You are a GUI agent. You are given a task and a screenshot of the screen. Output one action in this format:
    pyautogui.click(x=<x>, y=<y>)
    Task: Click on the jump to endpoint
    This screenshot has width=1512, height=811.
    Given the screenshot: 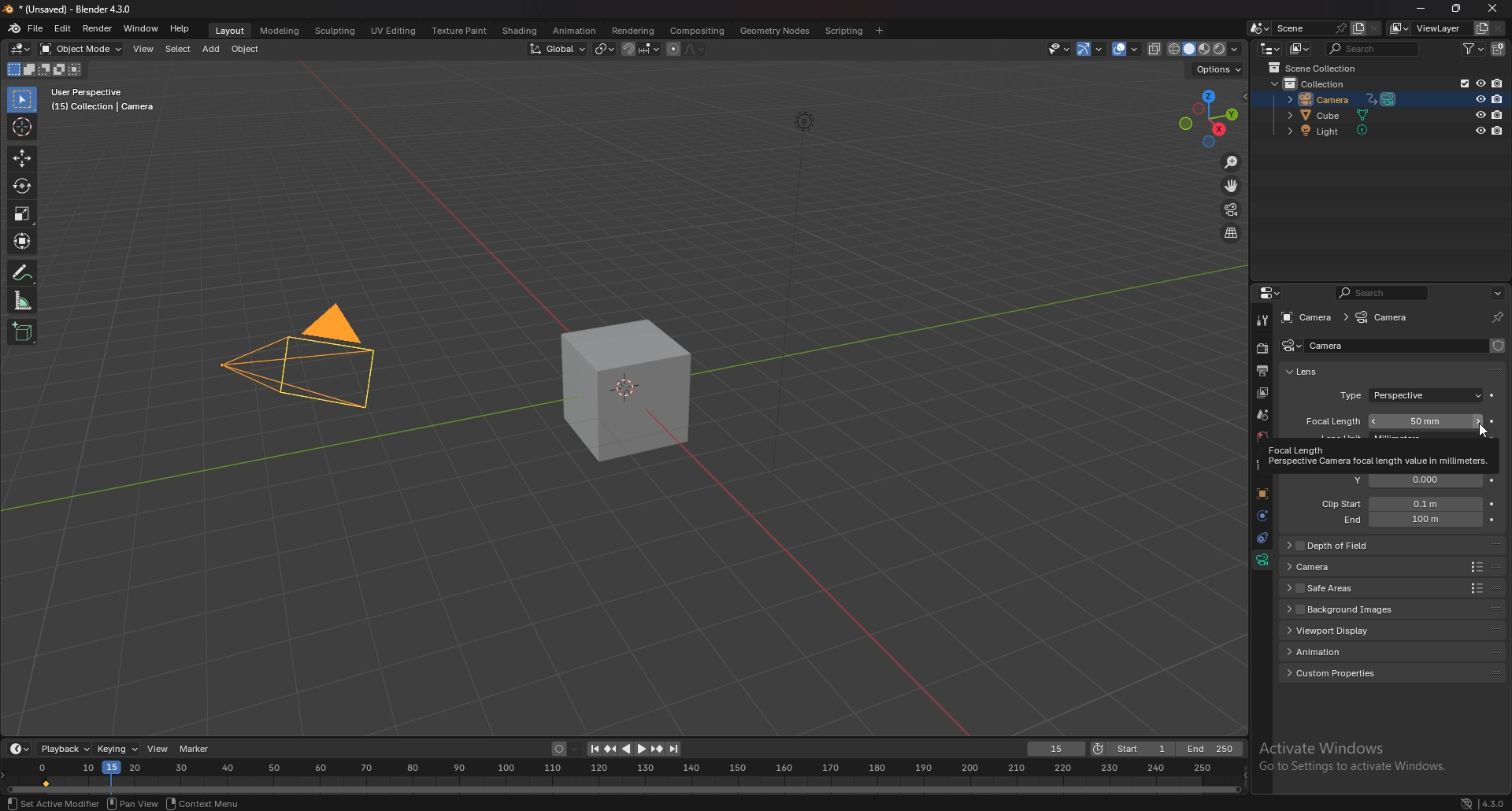 What is the action you would take?
    pyautogui.click(x=675, y=749)
    